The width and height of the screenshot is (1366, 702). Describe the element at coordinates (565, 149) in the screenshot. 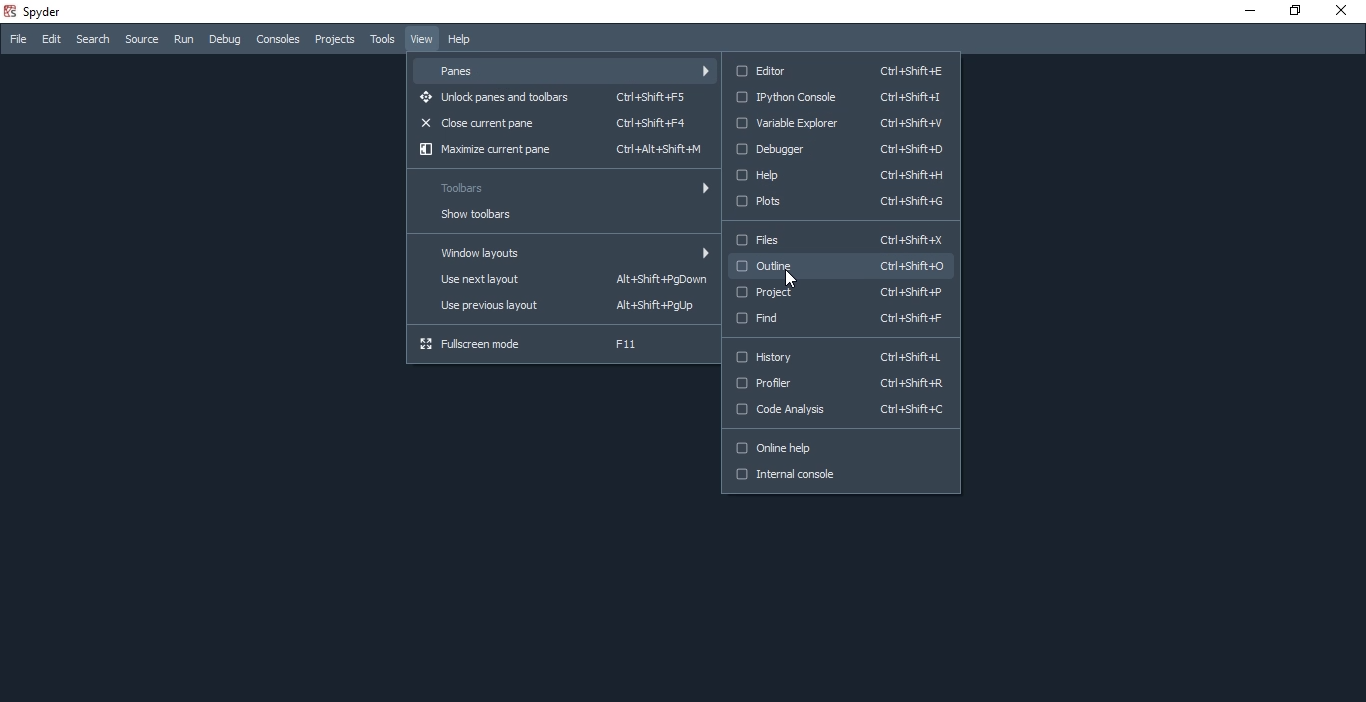

I see `Maximize current pane` at that location.